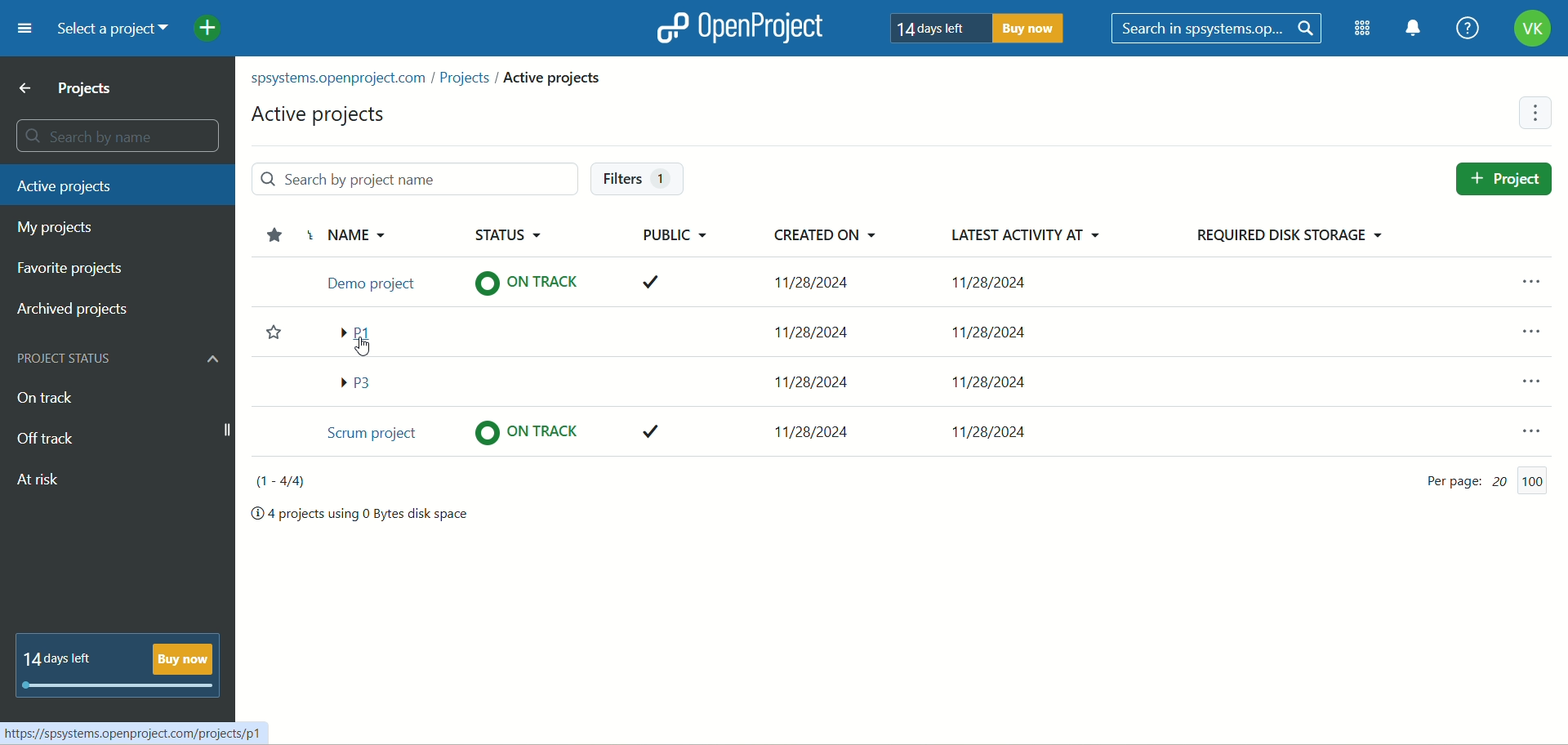 This screenshot has width=1568, height=745. Describe the element at coordinates (1520, 425) in the screenshot. I see `menu` at that location.